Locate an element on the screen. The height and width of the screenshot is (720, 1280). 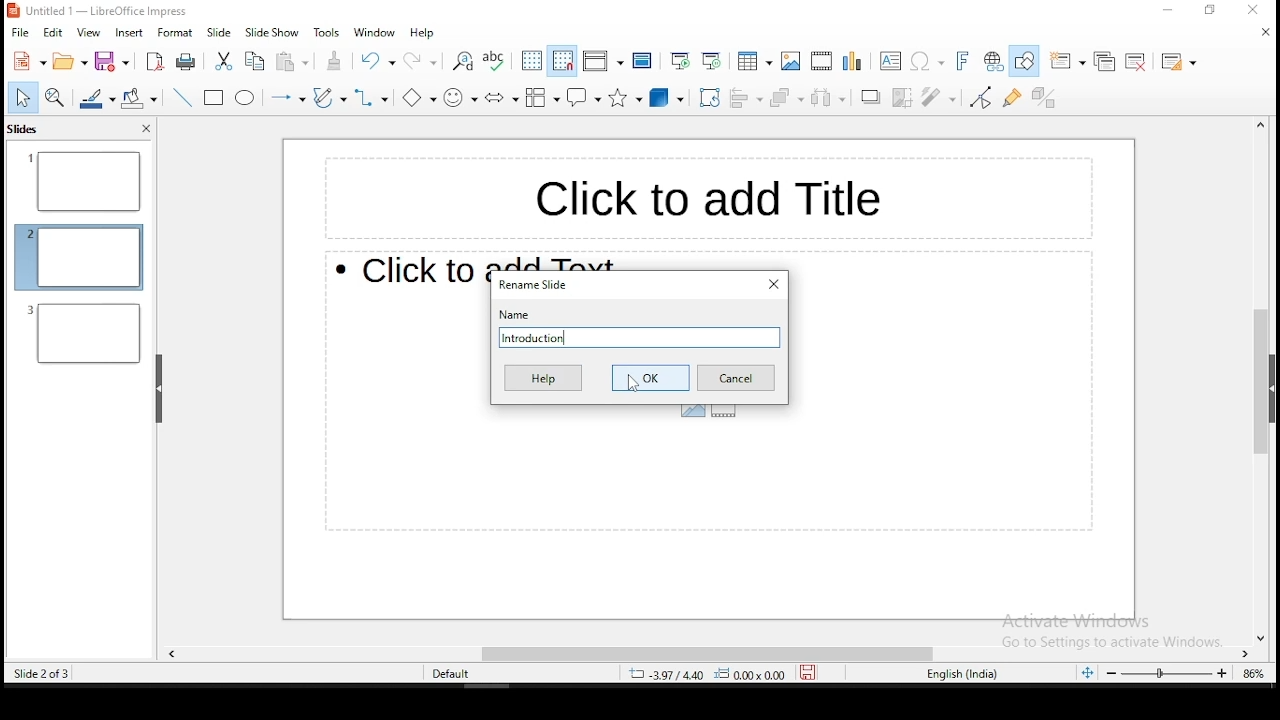
close window is located at coordinates (1259, 10).